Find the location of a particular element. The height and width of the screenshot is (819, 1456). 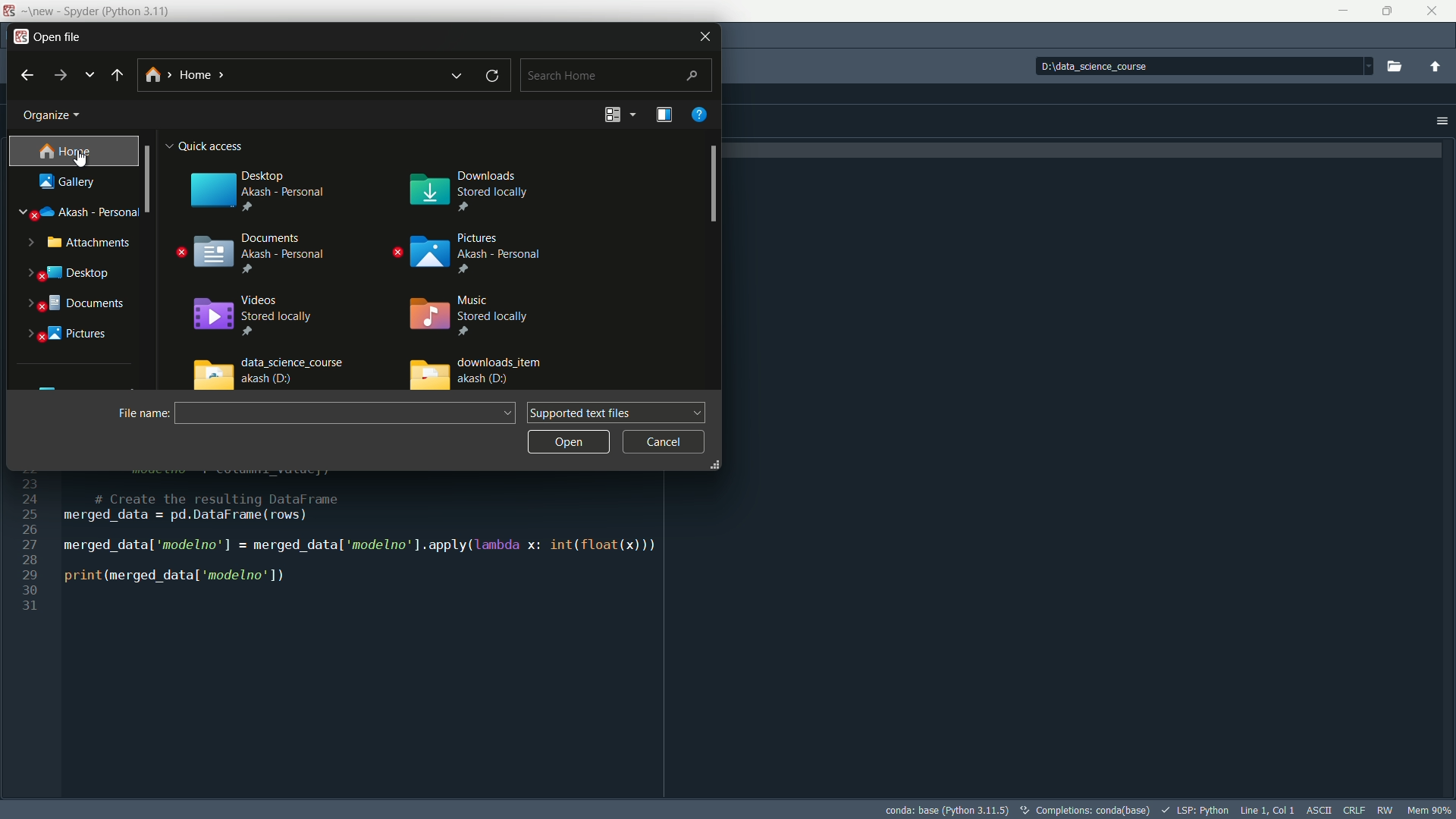

refresh is located at coordinates (497, 77).